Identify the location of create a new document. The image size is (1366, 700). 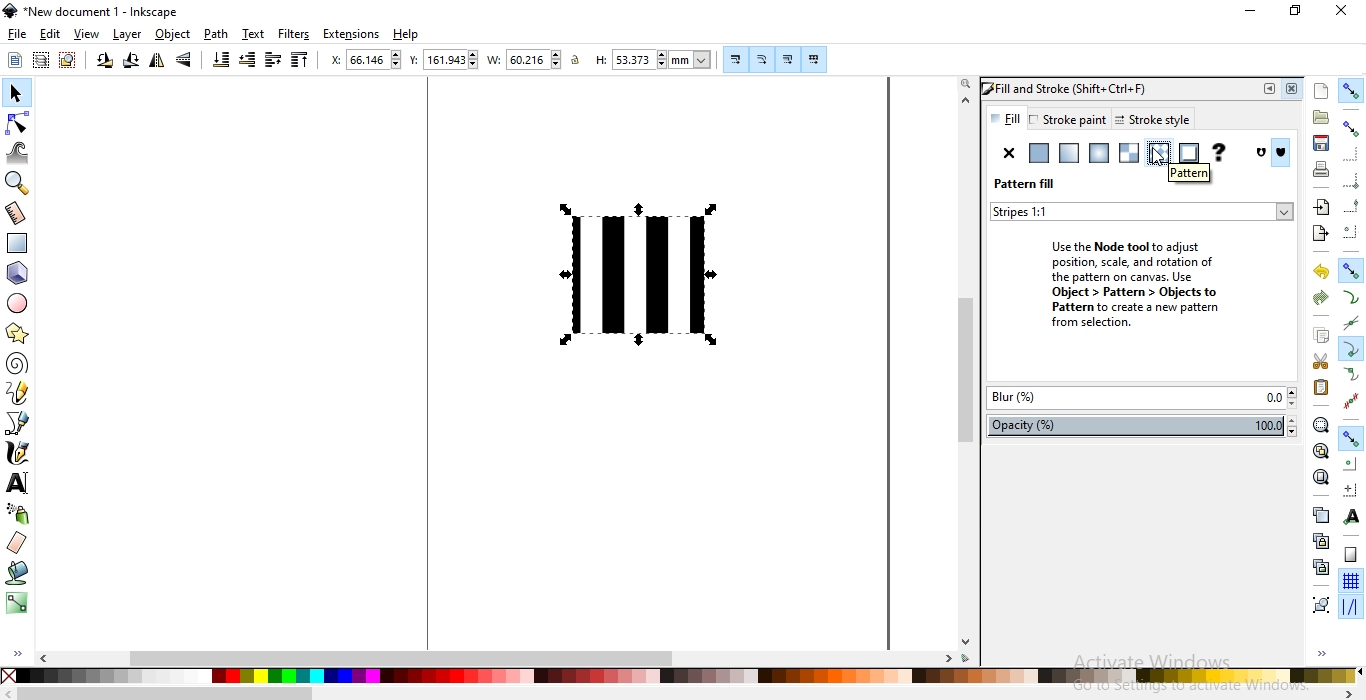
(1322, 91).